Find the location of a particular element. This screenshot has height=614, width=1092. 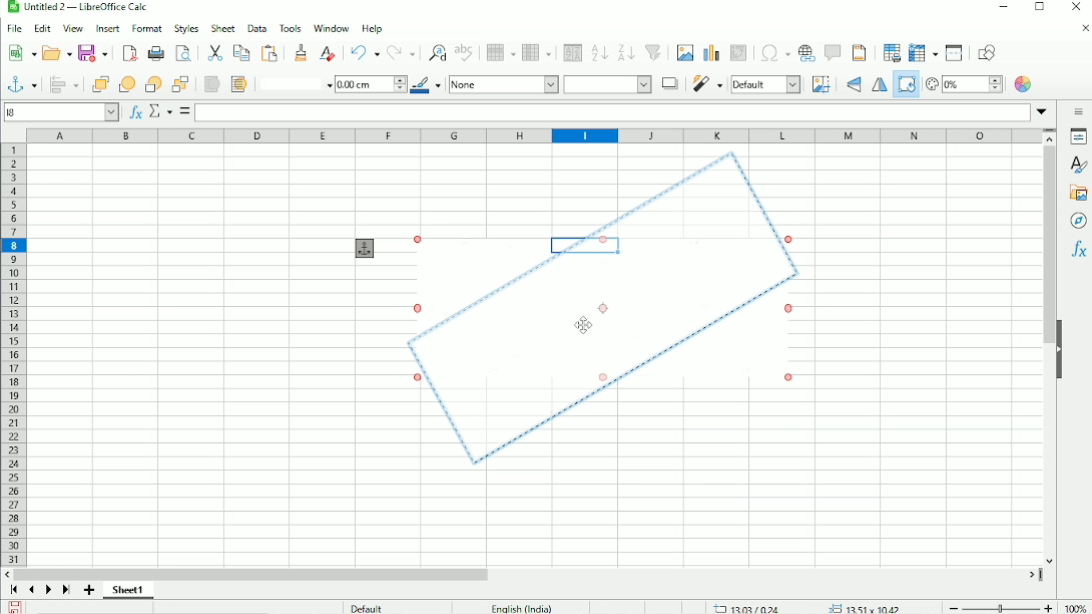

1.00 cm is located at coordinates (370, 85).